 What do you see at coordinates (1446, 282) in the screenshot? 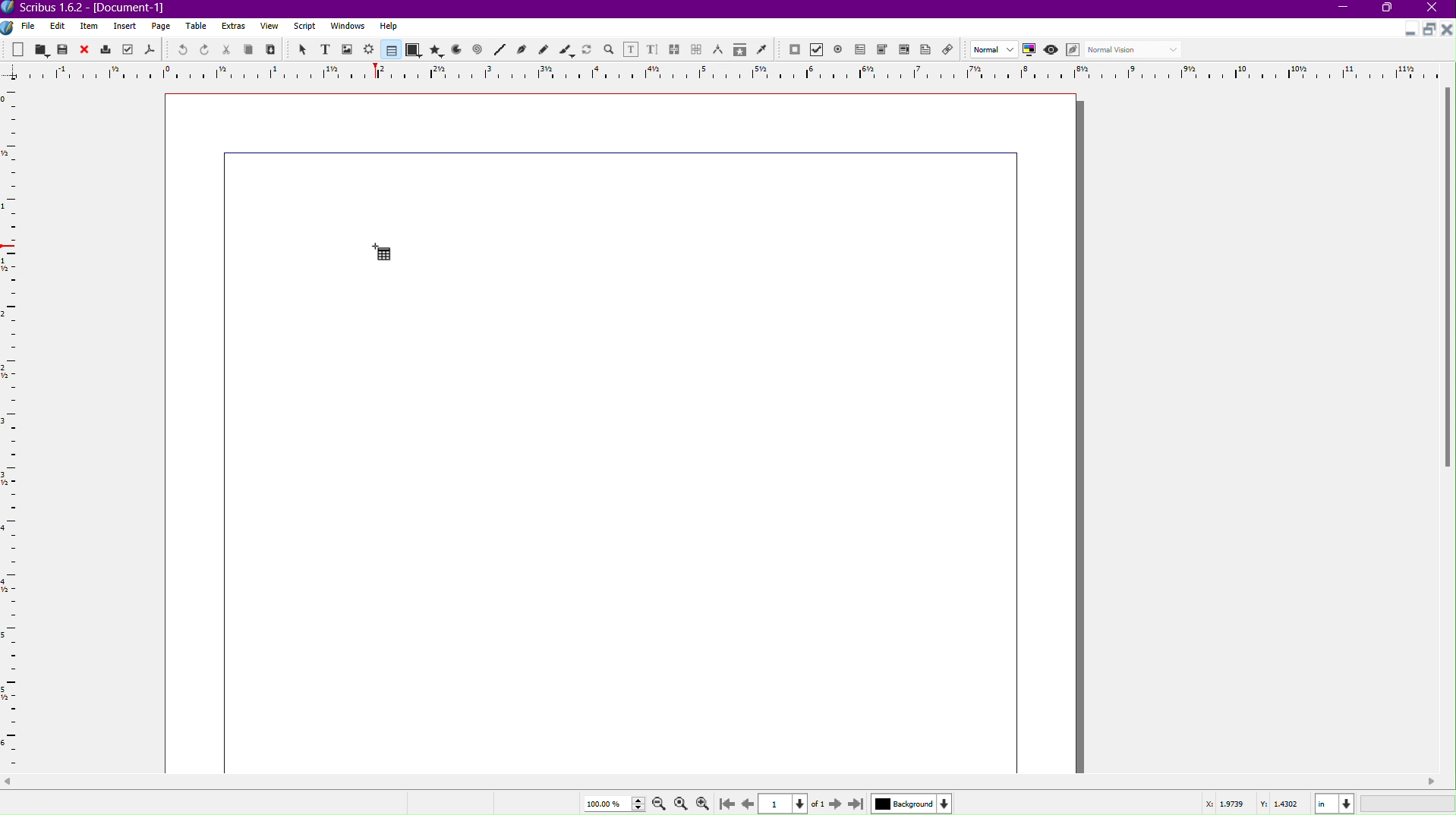
I see `Scrollbar` at bounding box center [1446, 282].